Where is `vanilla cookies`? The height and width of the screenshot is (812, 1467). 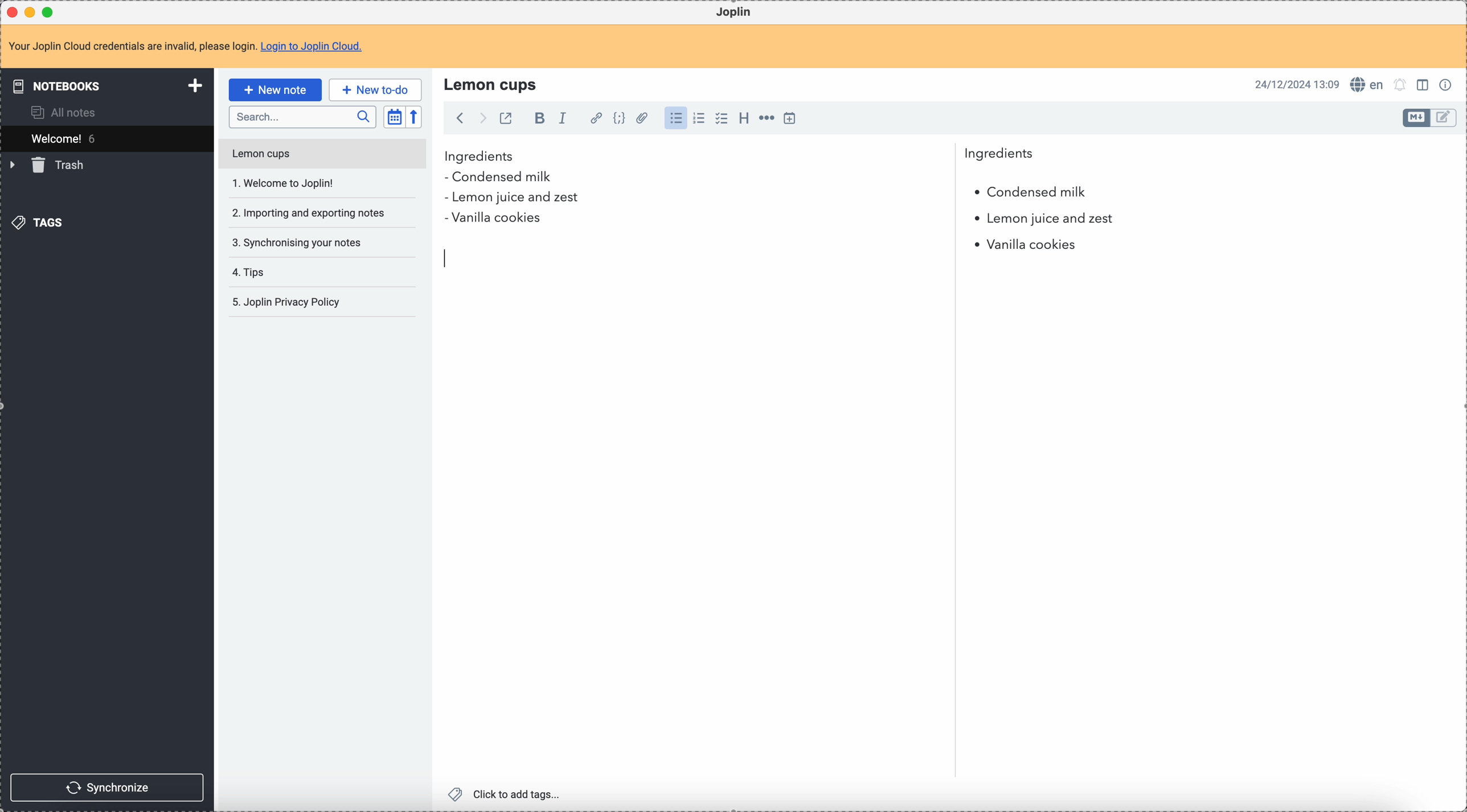 vanilla cookies is located at coordinates (1021, 245).